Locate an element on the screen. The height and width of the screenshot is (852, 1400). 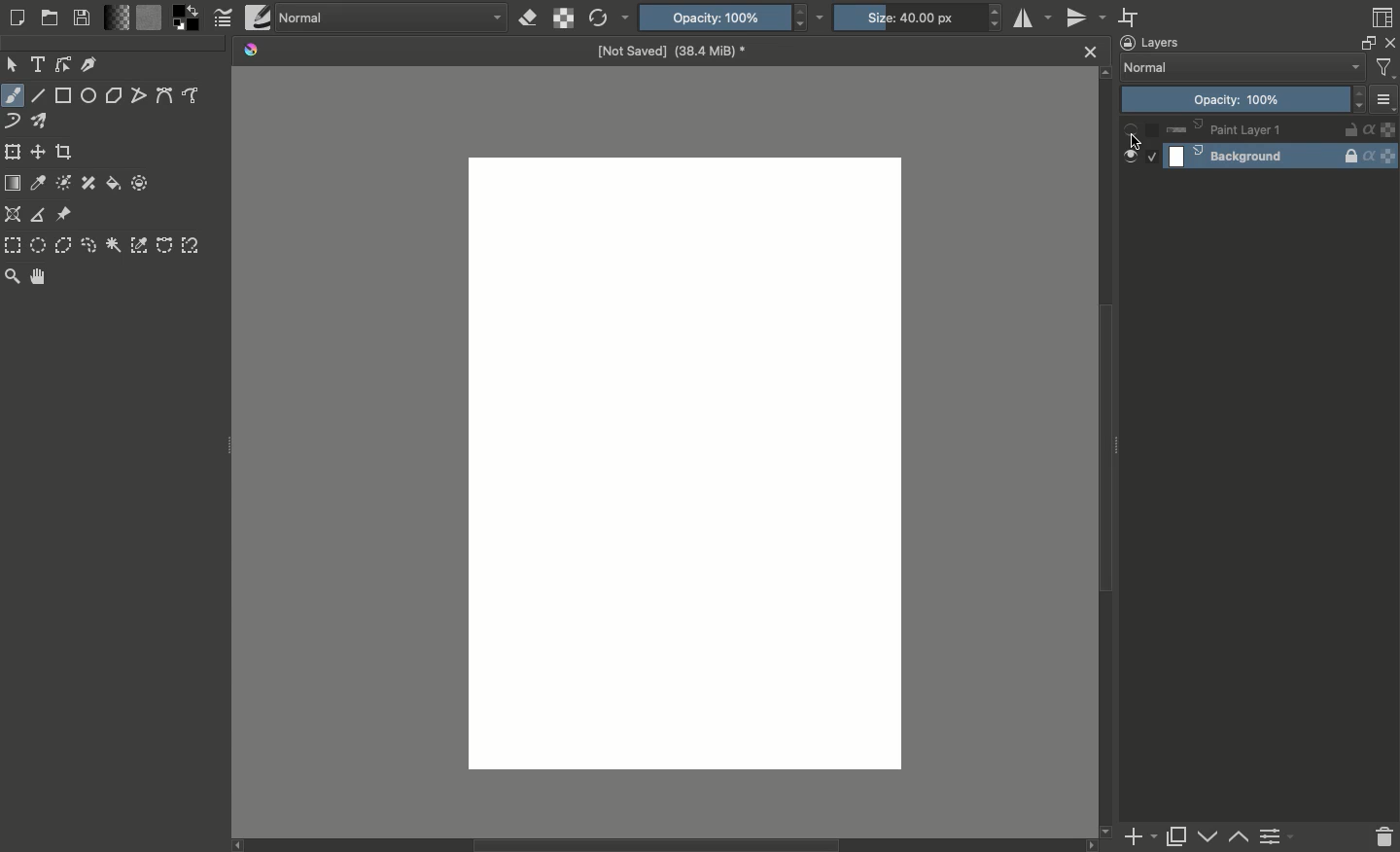
Paint layer is located at coordinates (1251, 129).